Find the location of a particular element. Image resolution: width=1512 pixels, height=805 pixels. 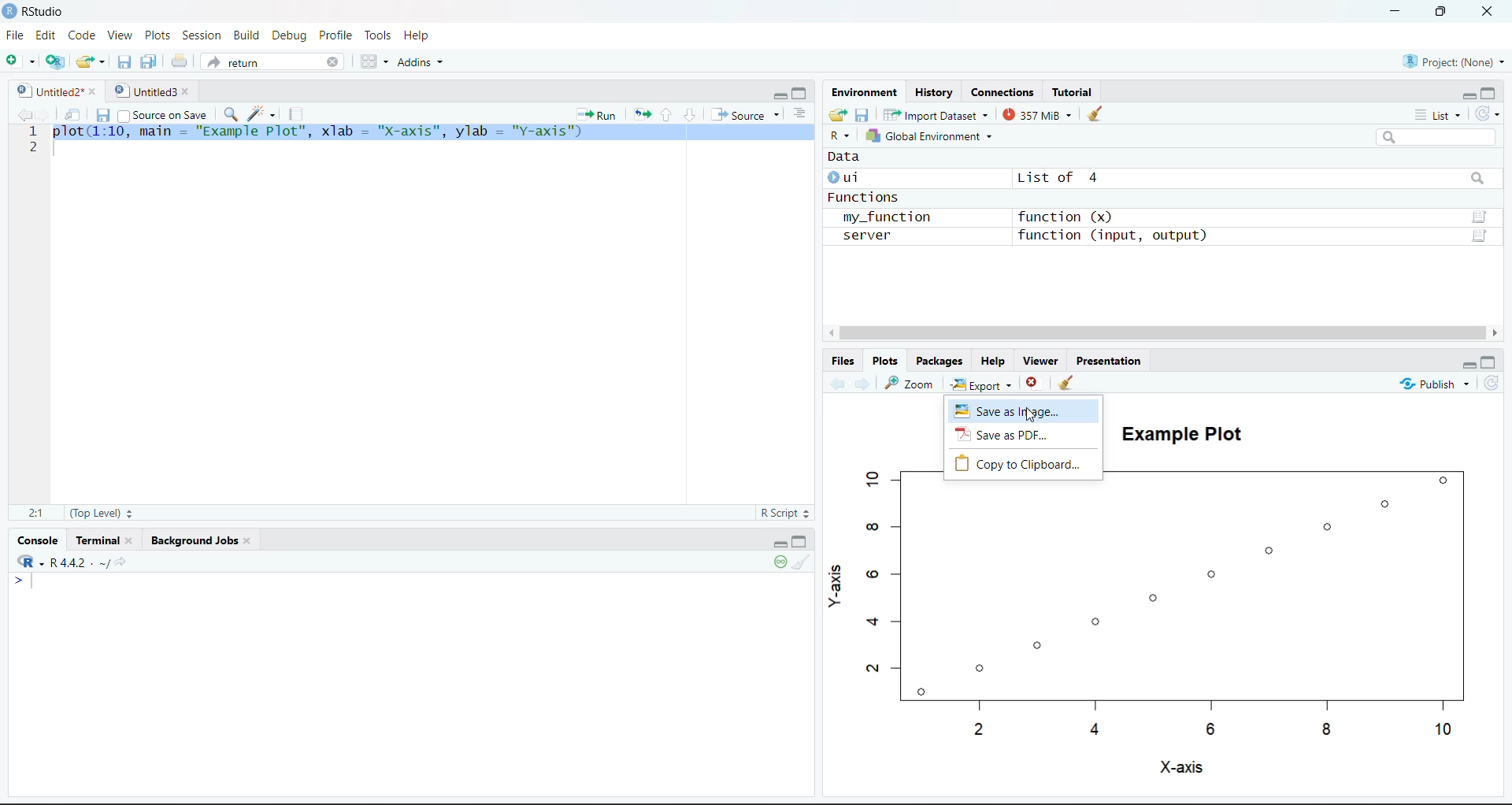

Print the current file is located at coordinates (177, 61).